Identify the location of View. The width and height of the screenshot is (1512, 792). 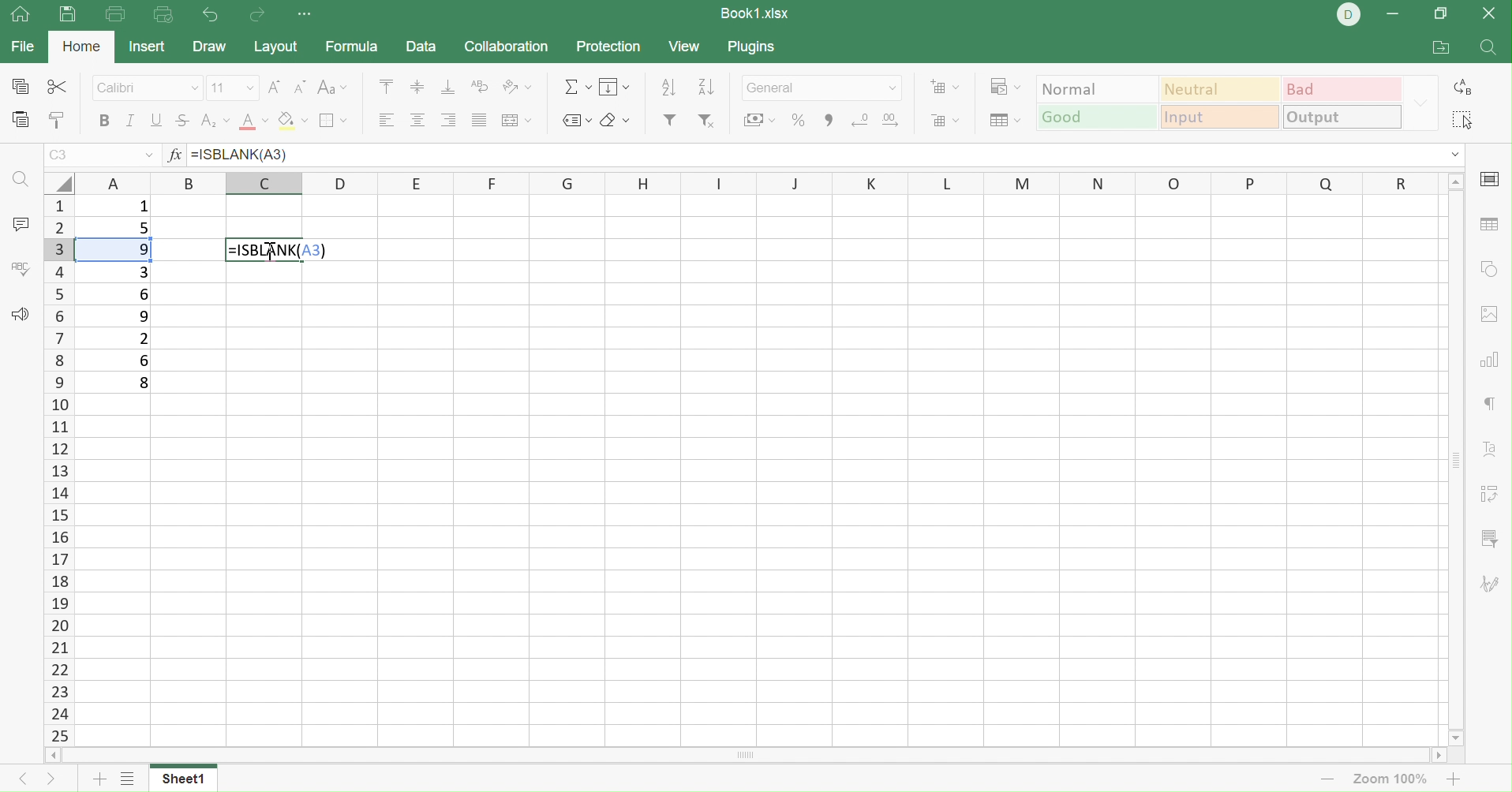
(683, 47).